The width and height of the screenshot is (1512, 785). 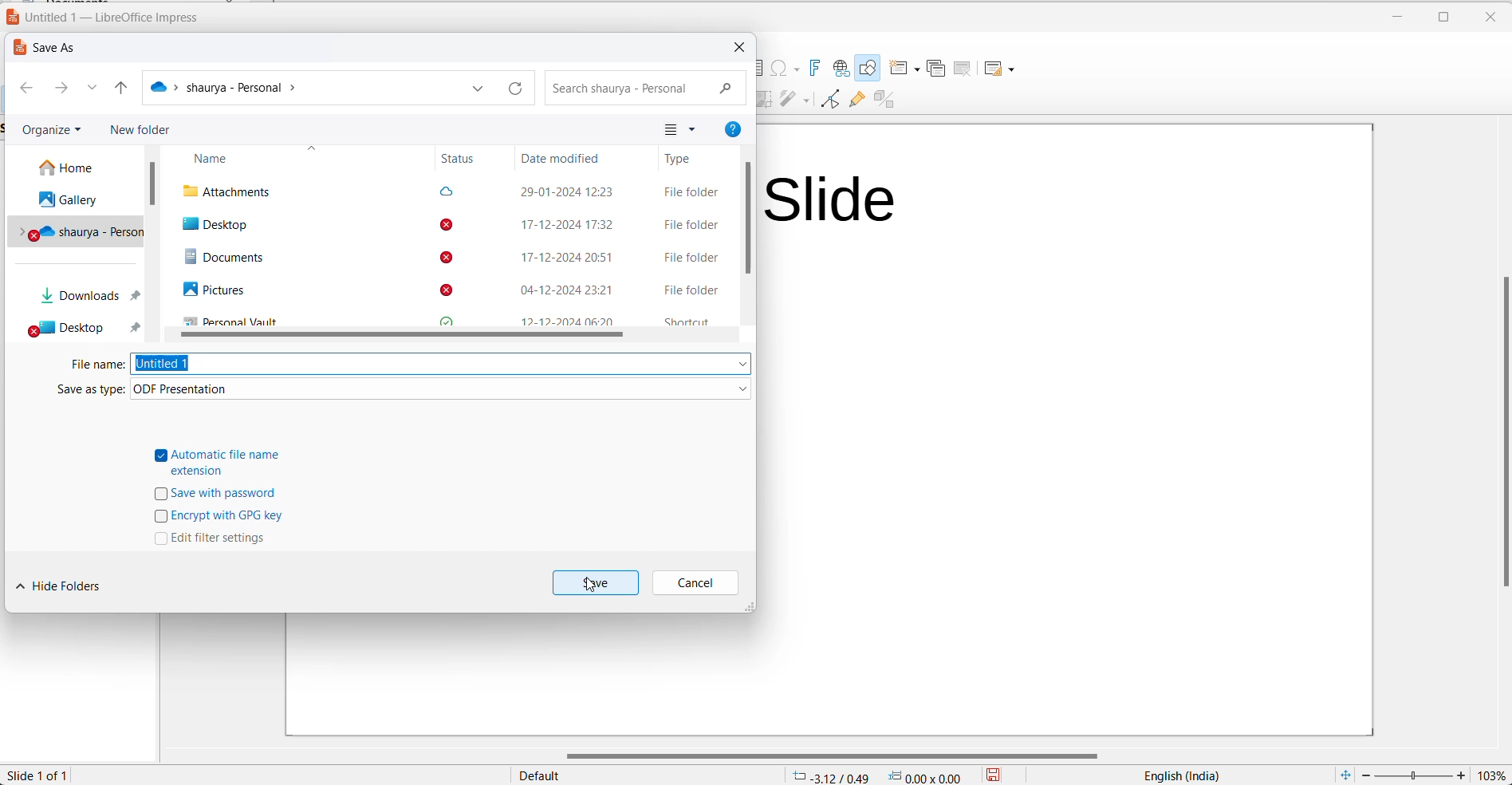 What do you see at coordinates (596, 582) in the screenshot?
I see `SAVE` at bounding box center [596, 582].